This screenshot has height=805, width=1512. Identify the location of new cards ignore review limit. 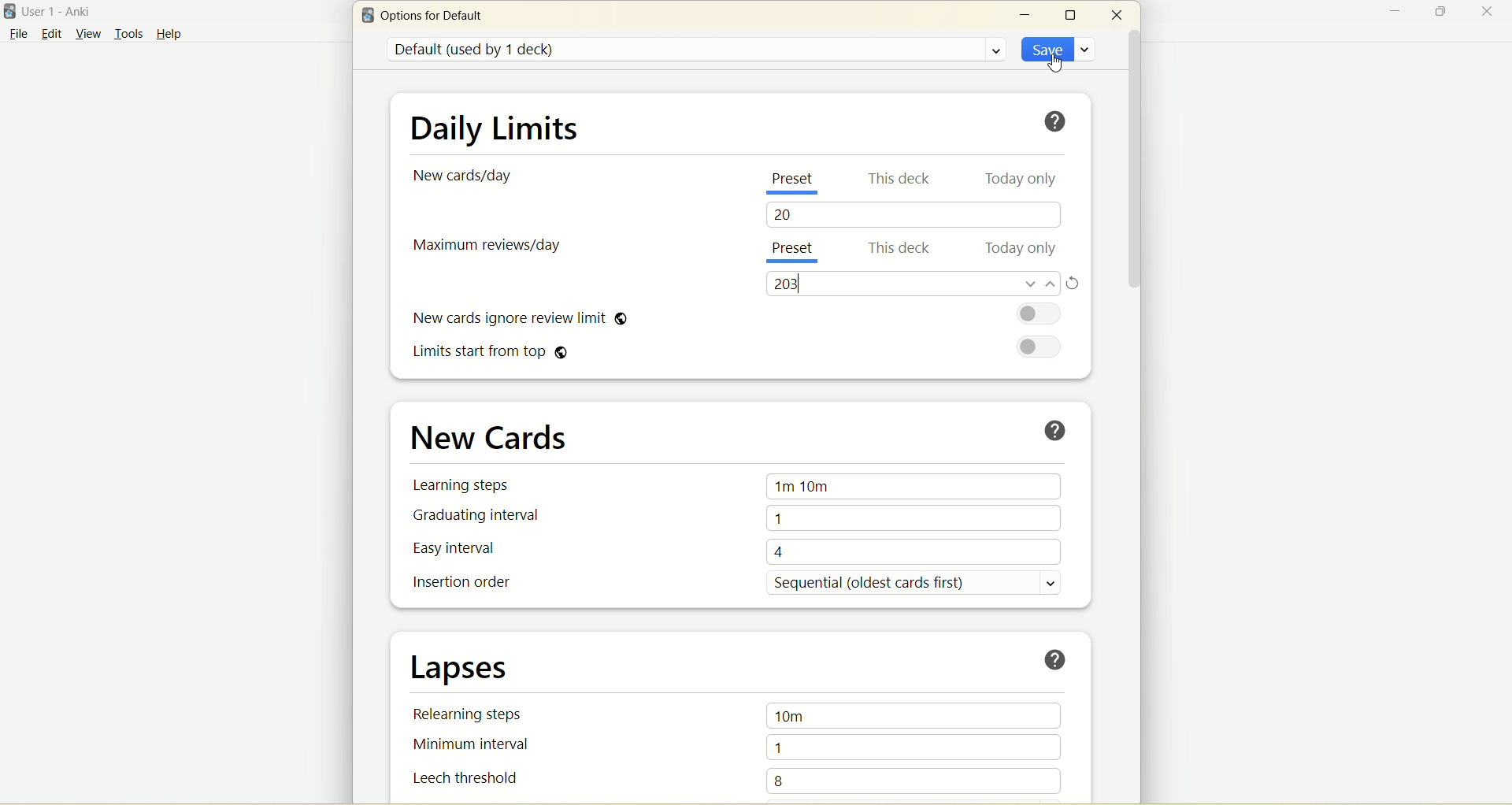
(523, 321).